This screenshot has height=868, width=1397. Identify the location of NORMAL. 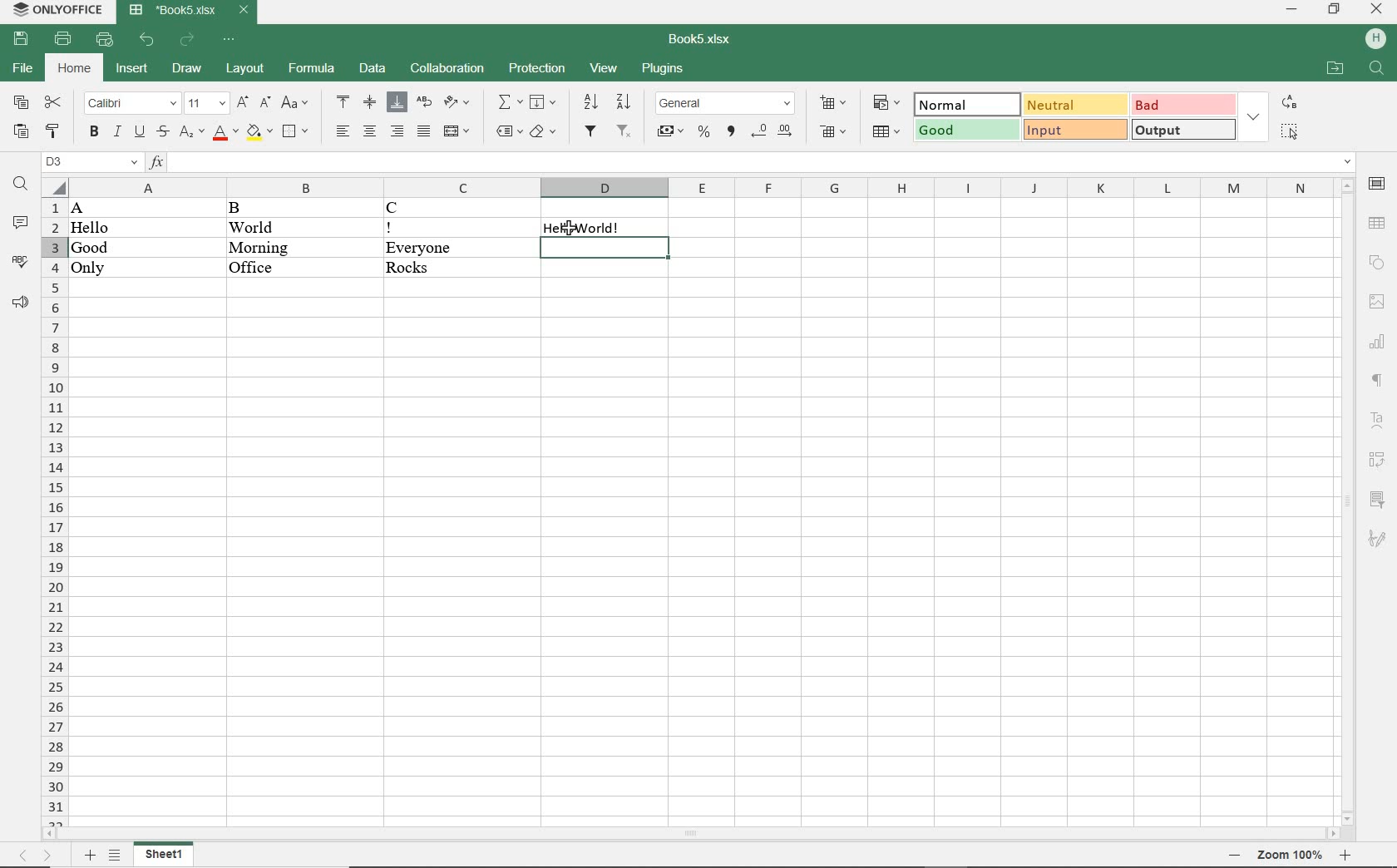
(964, 105).